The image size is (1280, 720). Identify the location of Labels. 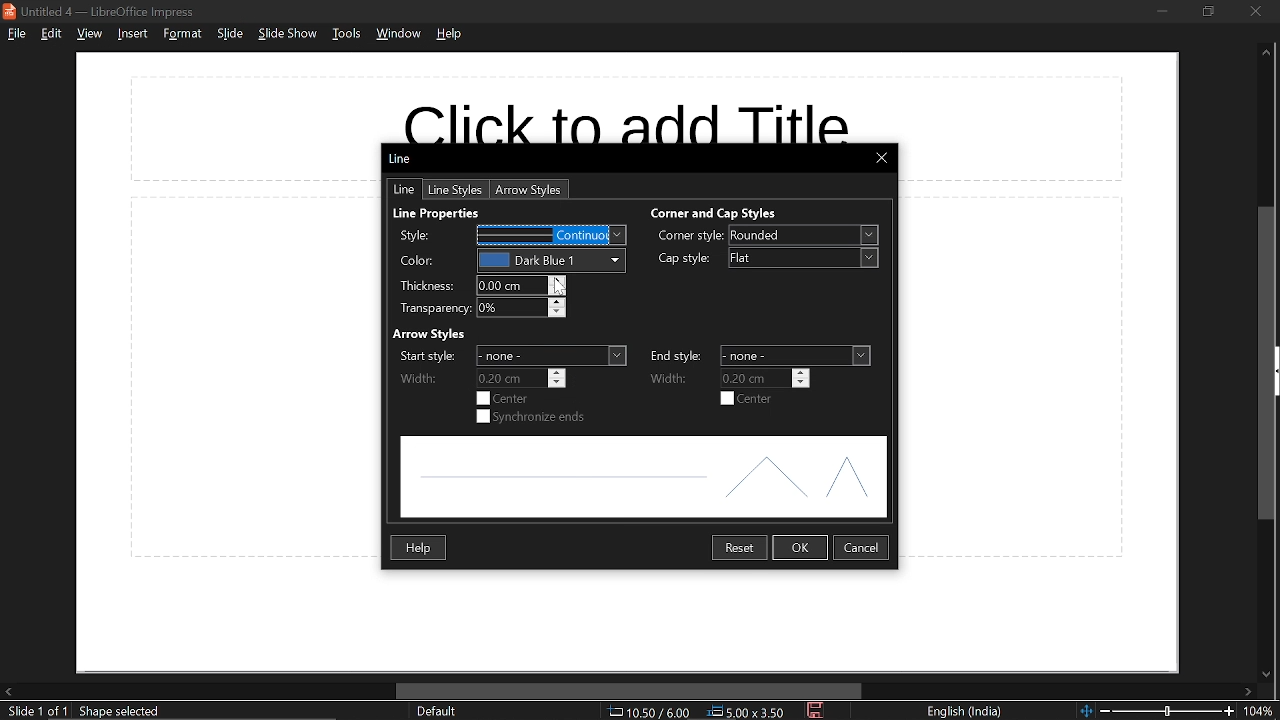
(433, 273).